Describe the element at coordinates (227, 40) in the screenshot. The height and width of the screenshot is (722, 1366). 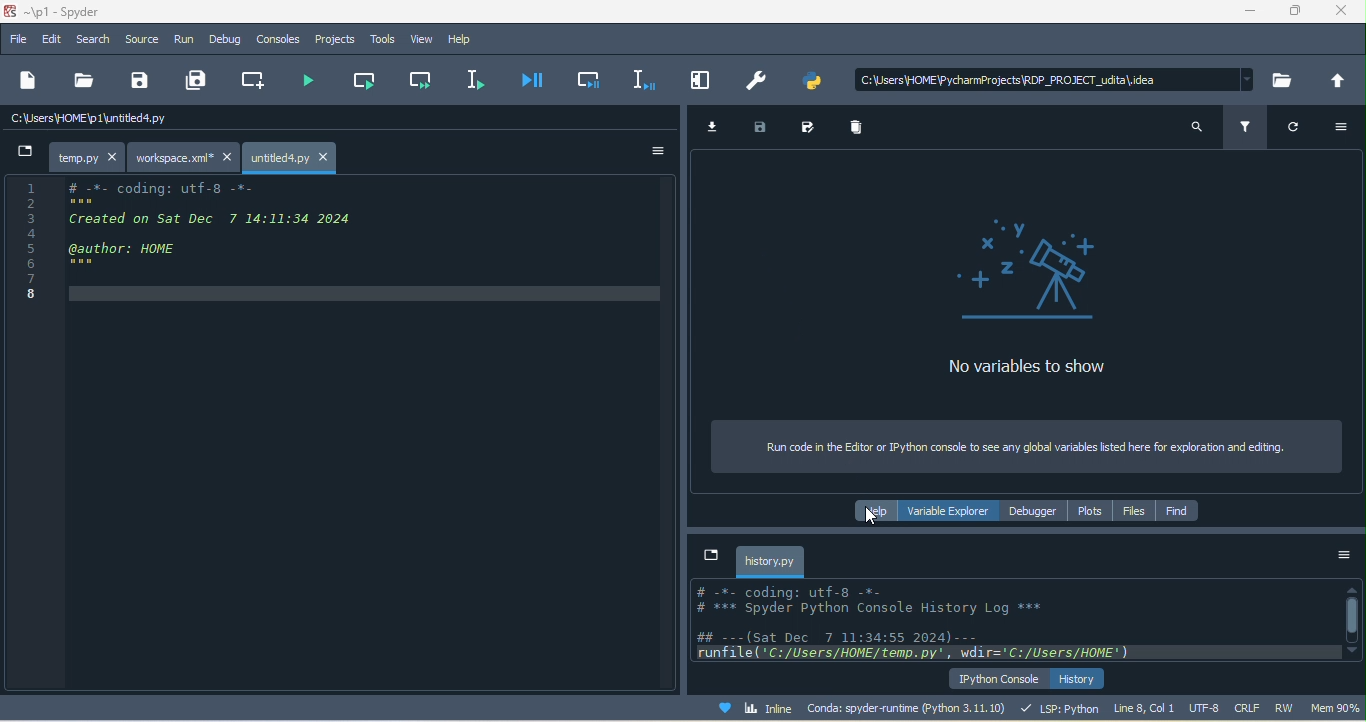
I see `debug` at that location.